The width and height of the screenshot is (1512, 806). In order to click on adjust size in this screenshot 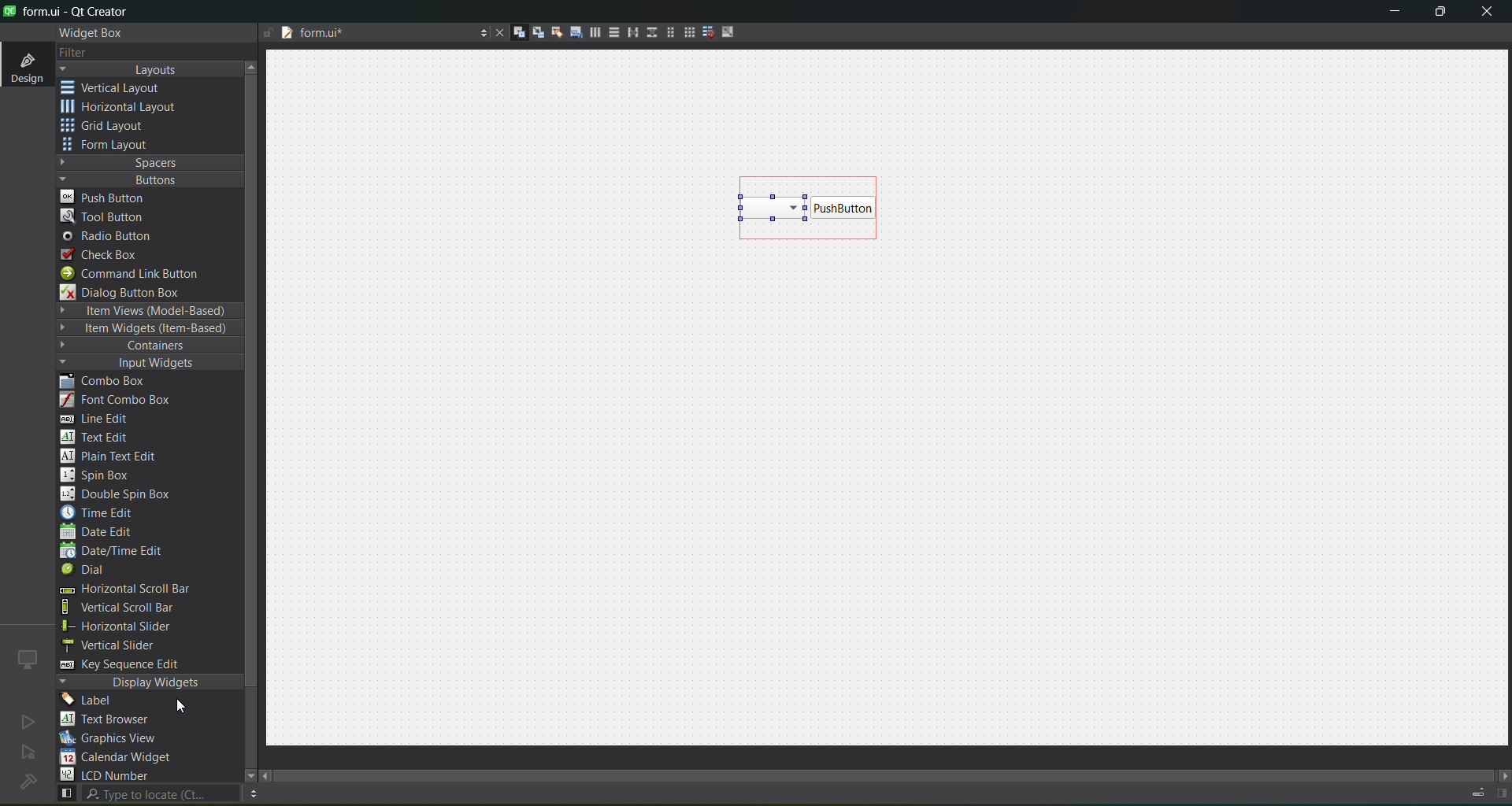, I will do `click(732, 31)`.